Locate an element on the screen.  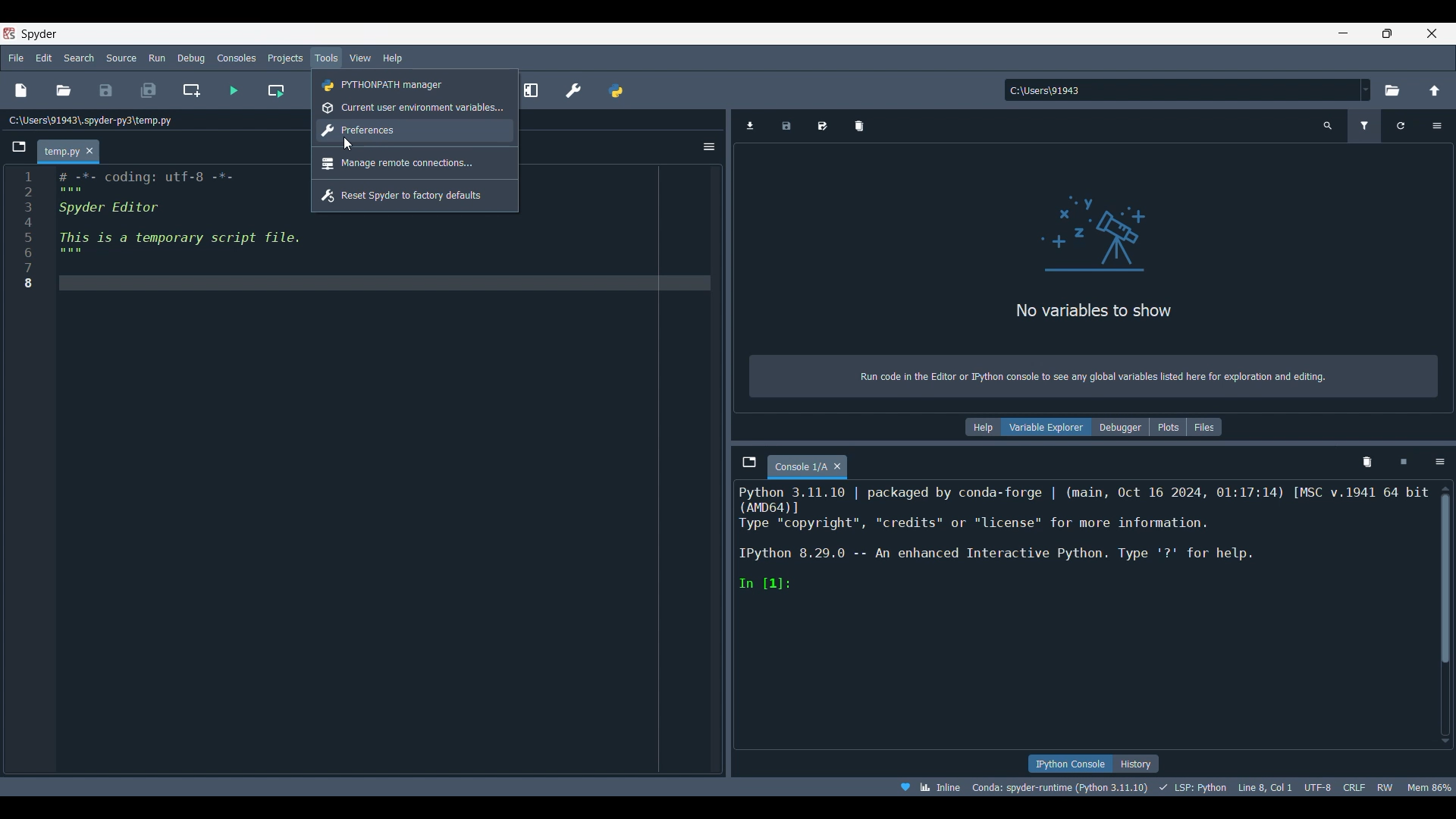
IPython console is located at coordinates (1069, 764).